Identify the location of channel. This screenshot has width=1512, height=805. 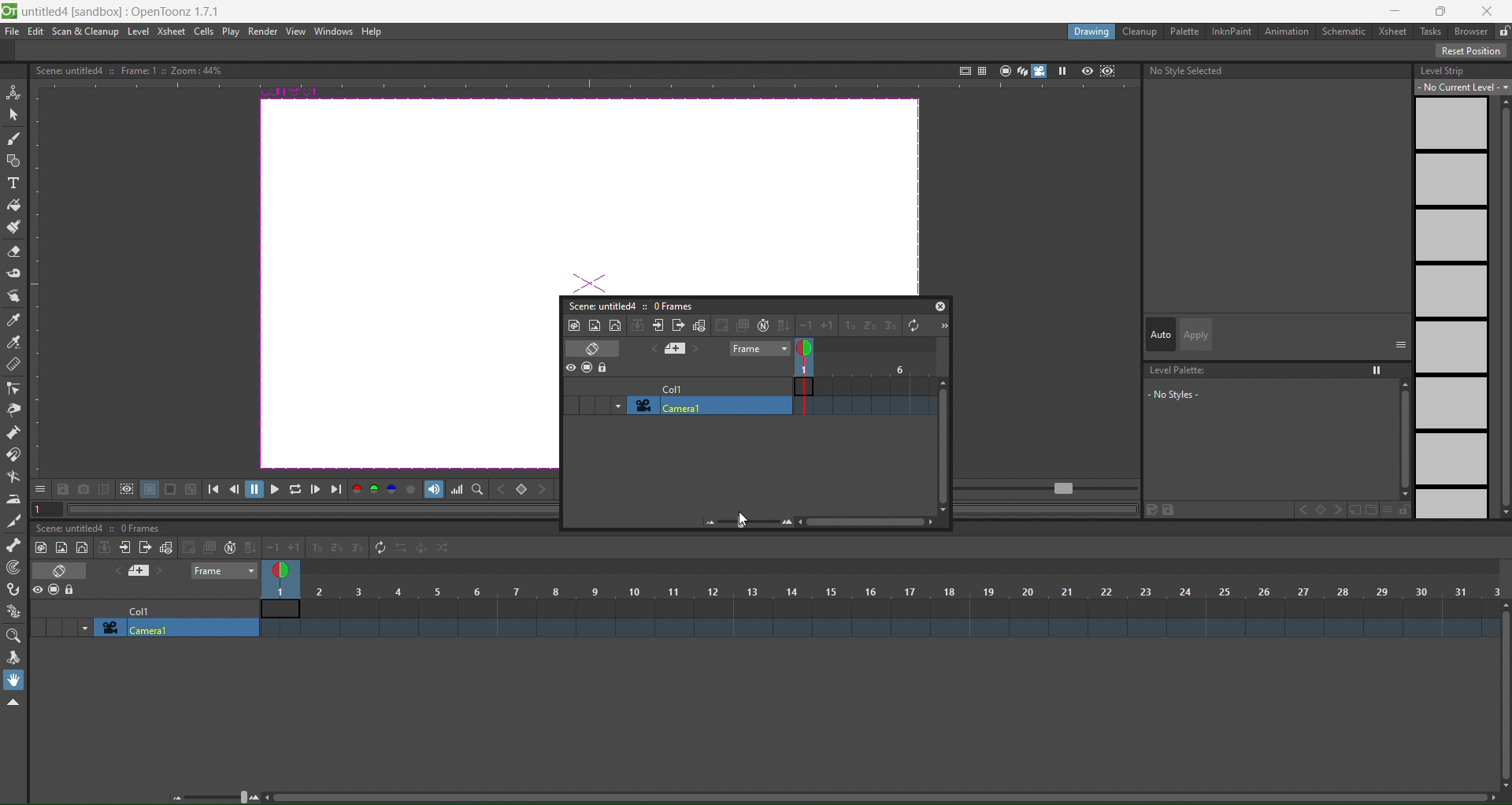
(413, 491).